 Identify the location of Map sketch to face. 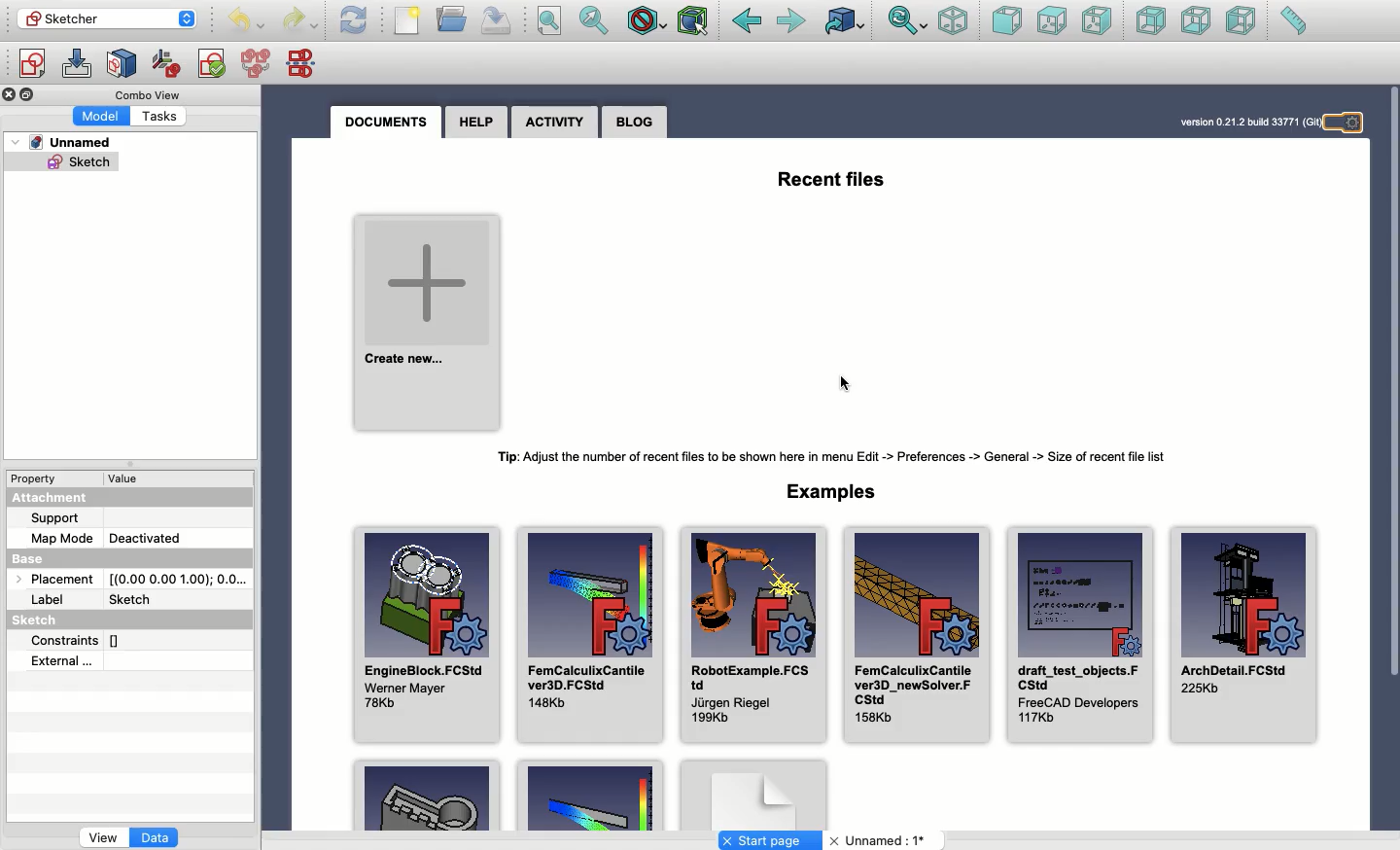
(125, 63).